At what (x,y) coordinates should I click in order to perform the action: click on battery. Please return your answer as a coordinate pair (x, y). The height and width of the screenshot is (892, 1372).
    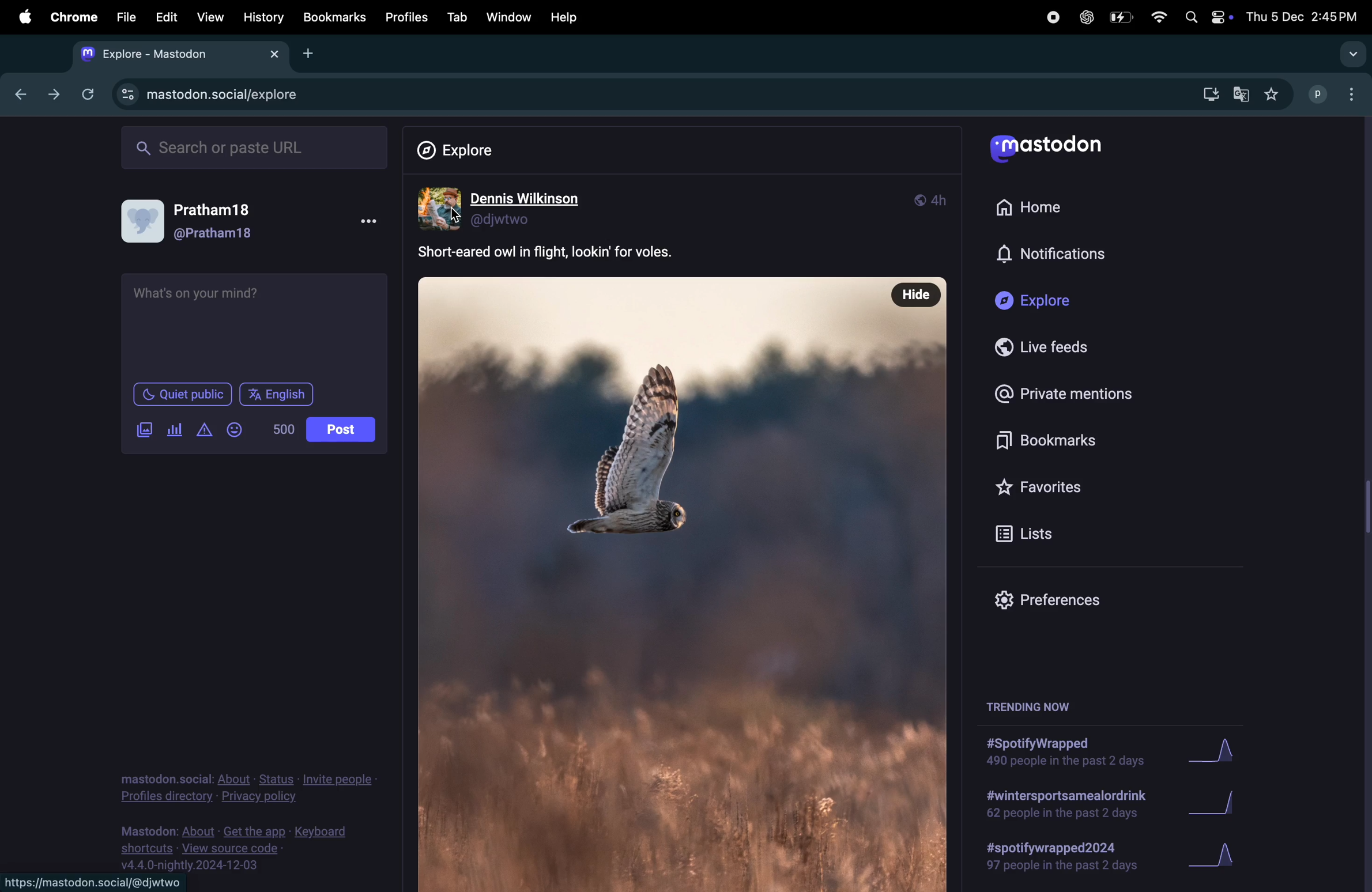
    Looking at the image, I should click on (1120, 18).